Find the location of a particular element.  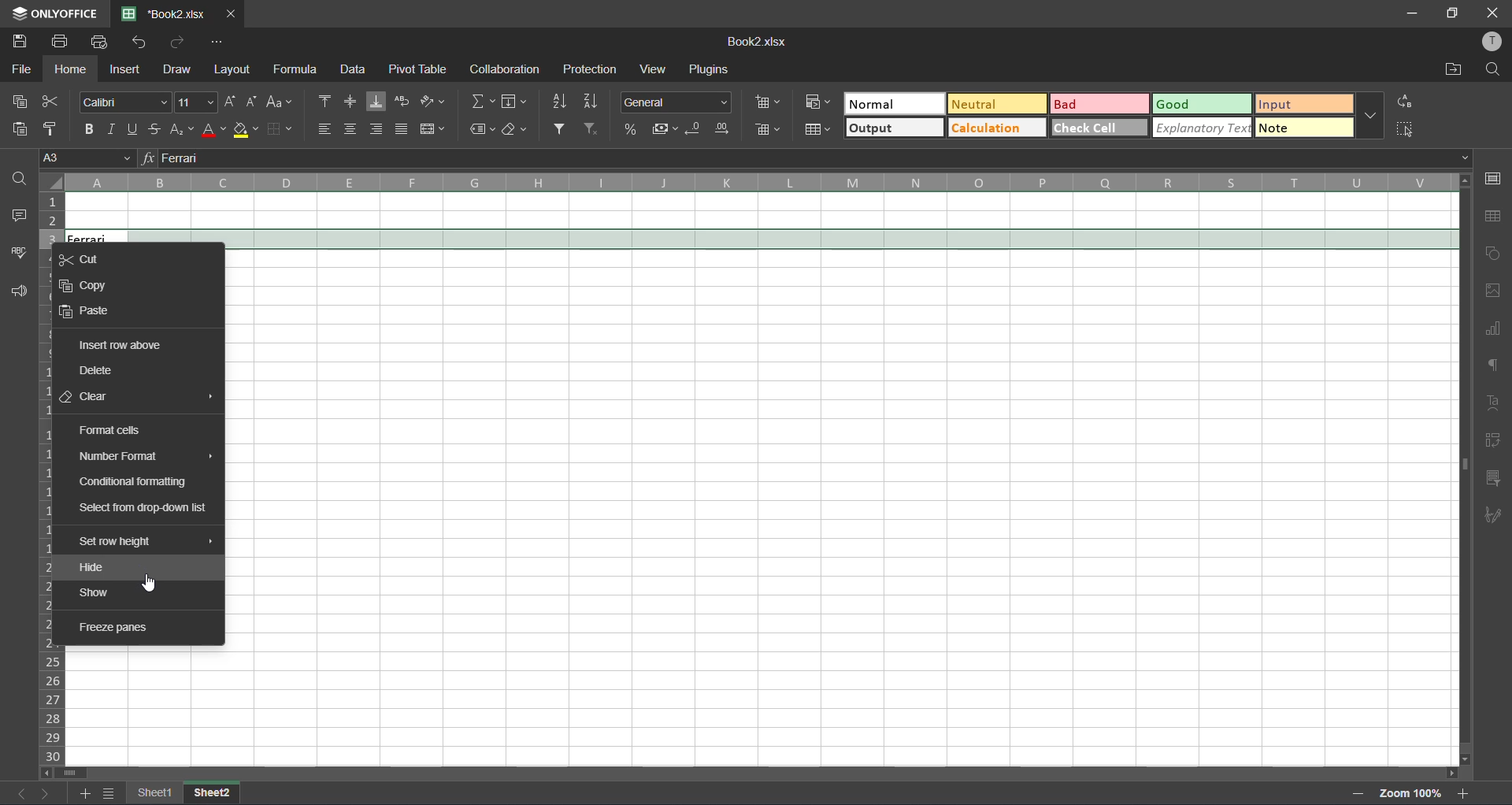

pivot table is located at coordinates (1494, 443).